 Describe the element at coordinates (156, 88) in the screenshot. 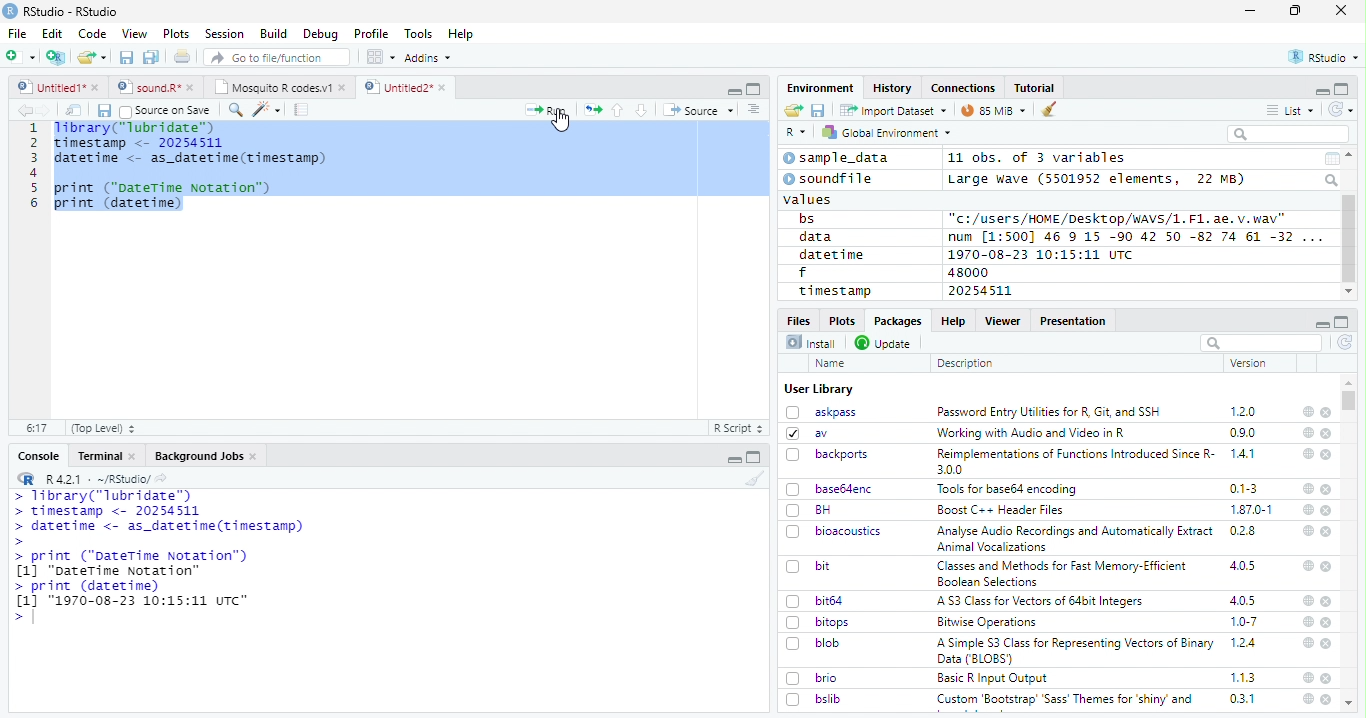

I see `sound.R*` at that location.